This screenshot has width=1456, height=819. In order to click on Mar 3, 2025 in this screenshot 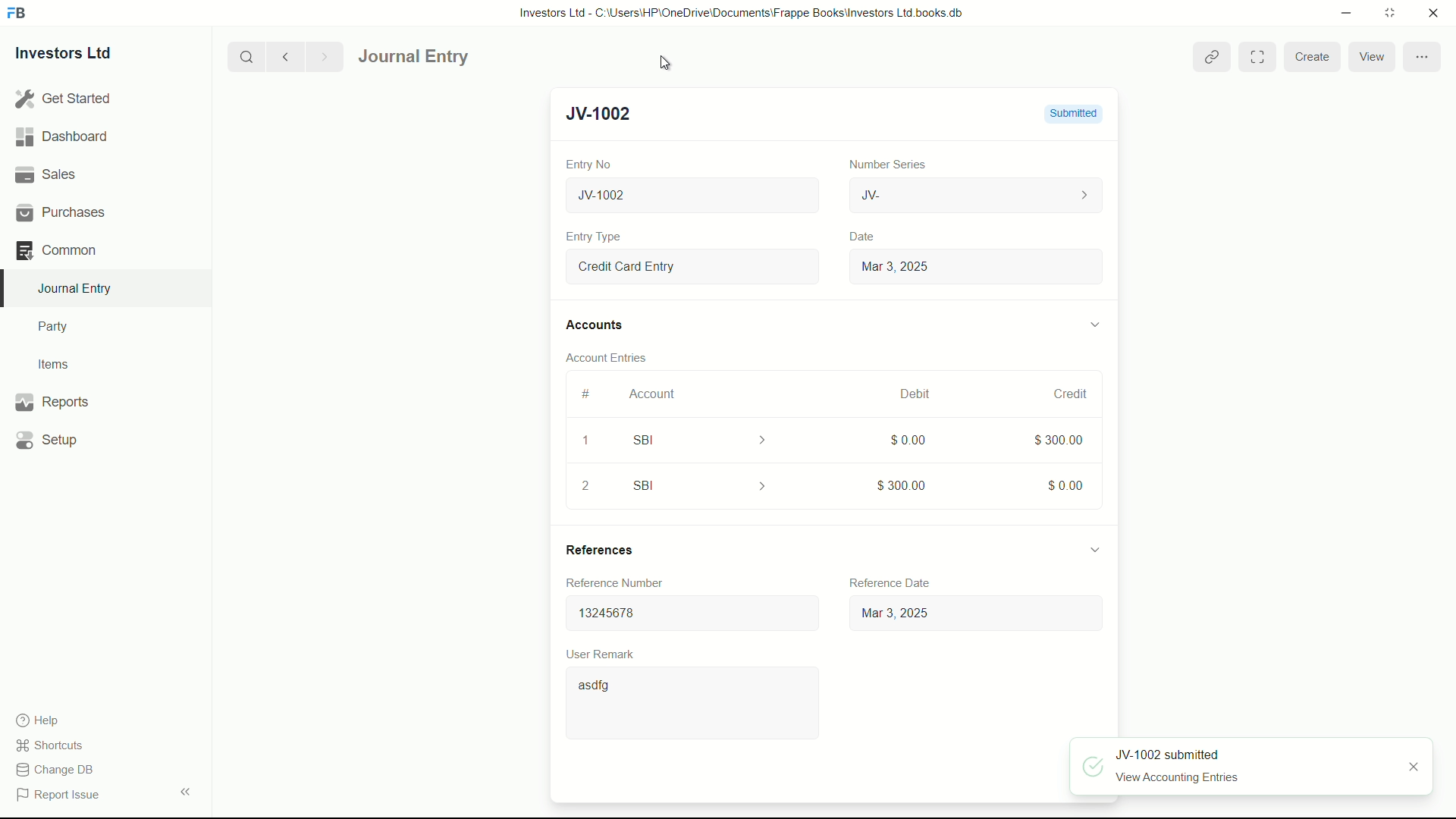, I will do `click(971, 616)`.